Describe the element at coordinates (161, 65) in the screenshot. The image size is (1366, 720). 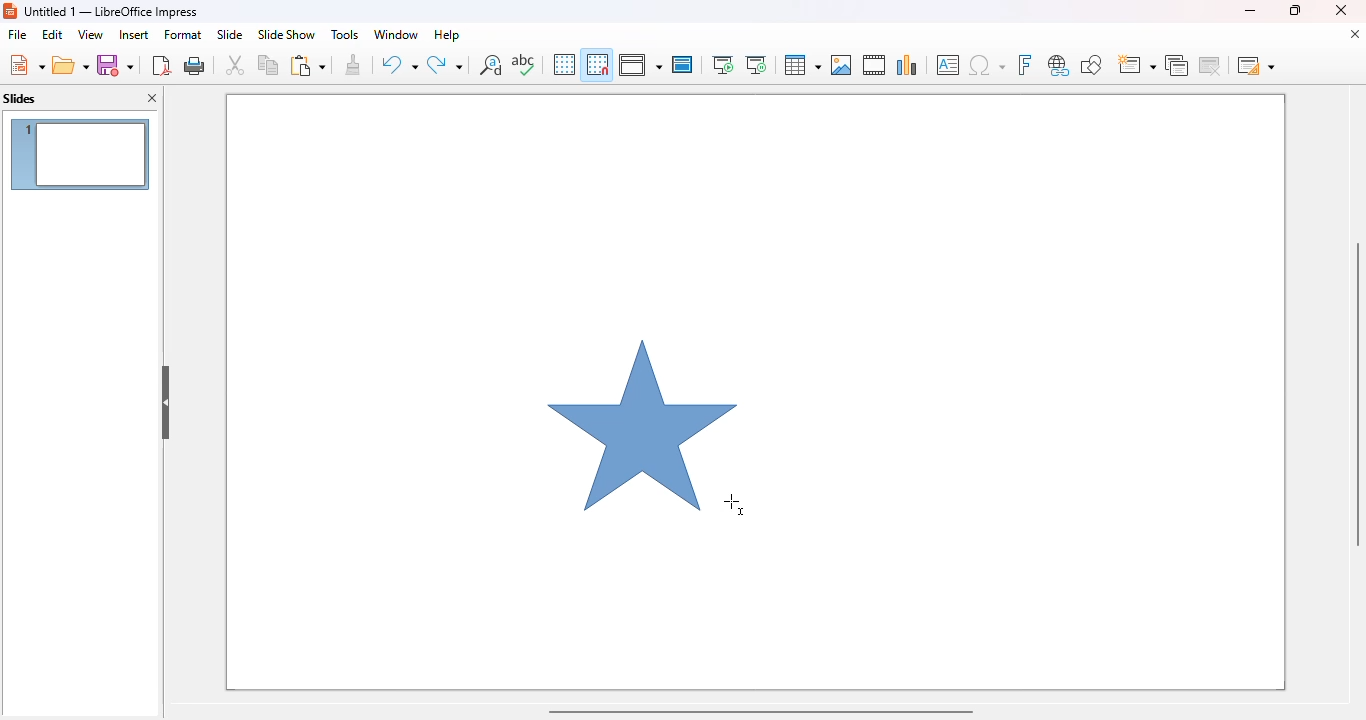
I see `export directly as PDF` at that location.